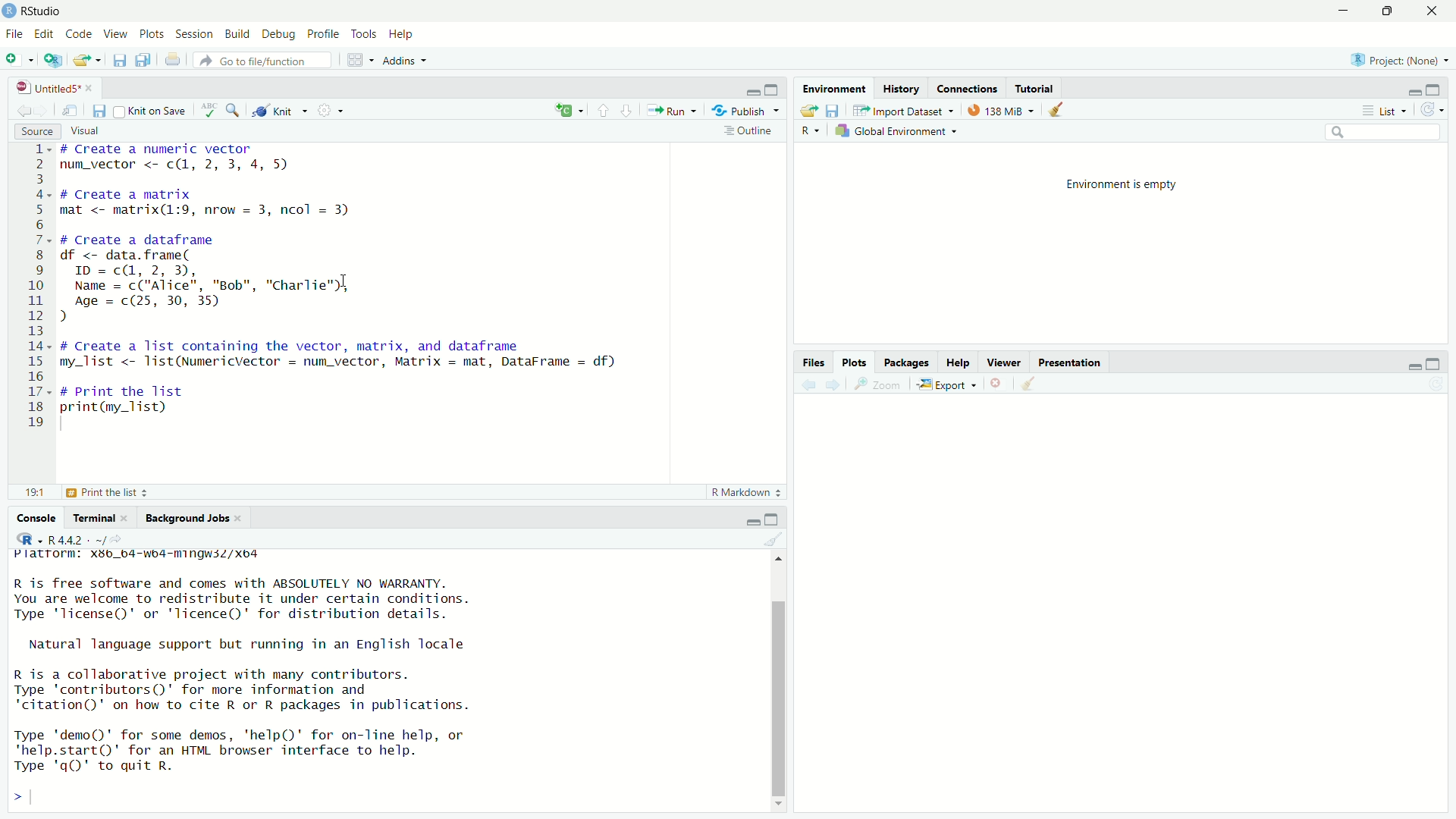 The width and height of the screenshot is (1456, 819). What do you see at coordinates (112, 492) in the screenshot?
I see `3 Print the list +` at bounding box center [112, 492].